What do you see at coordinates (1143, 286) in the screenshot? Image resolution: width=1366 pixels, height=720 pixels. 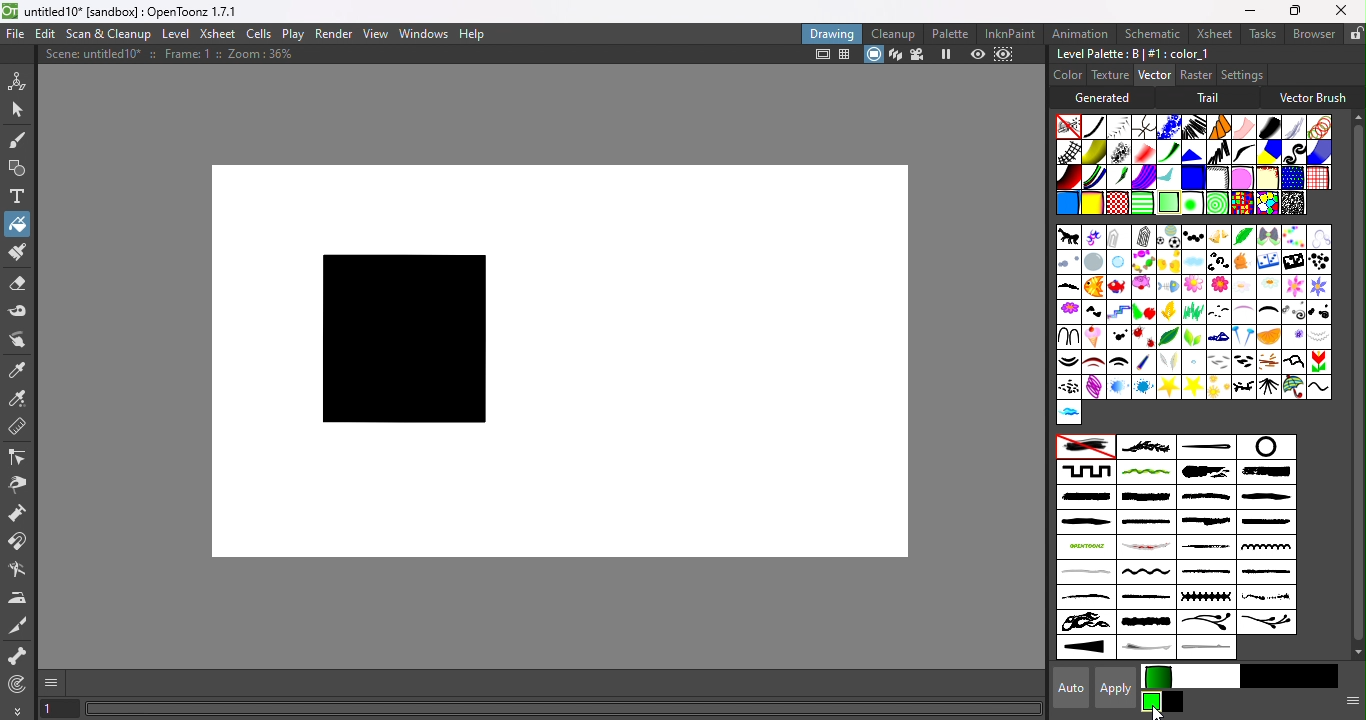 I see `fish3` at bounding box center [1143, 286].